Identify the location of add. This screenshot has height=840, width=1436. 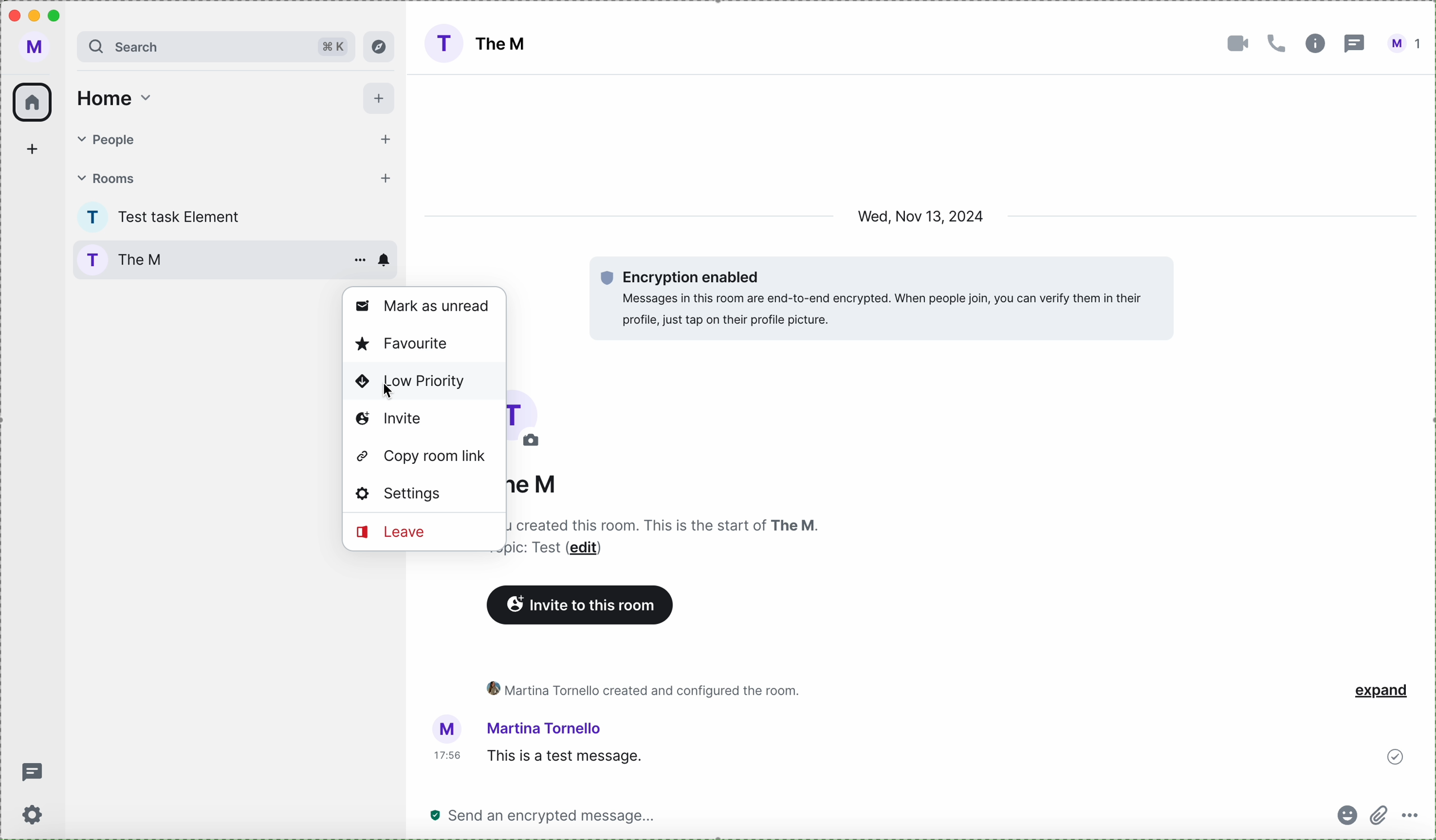
(397, 180).